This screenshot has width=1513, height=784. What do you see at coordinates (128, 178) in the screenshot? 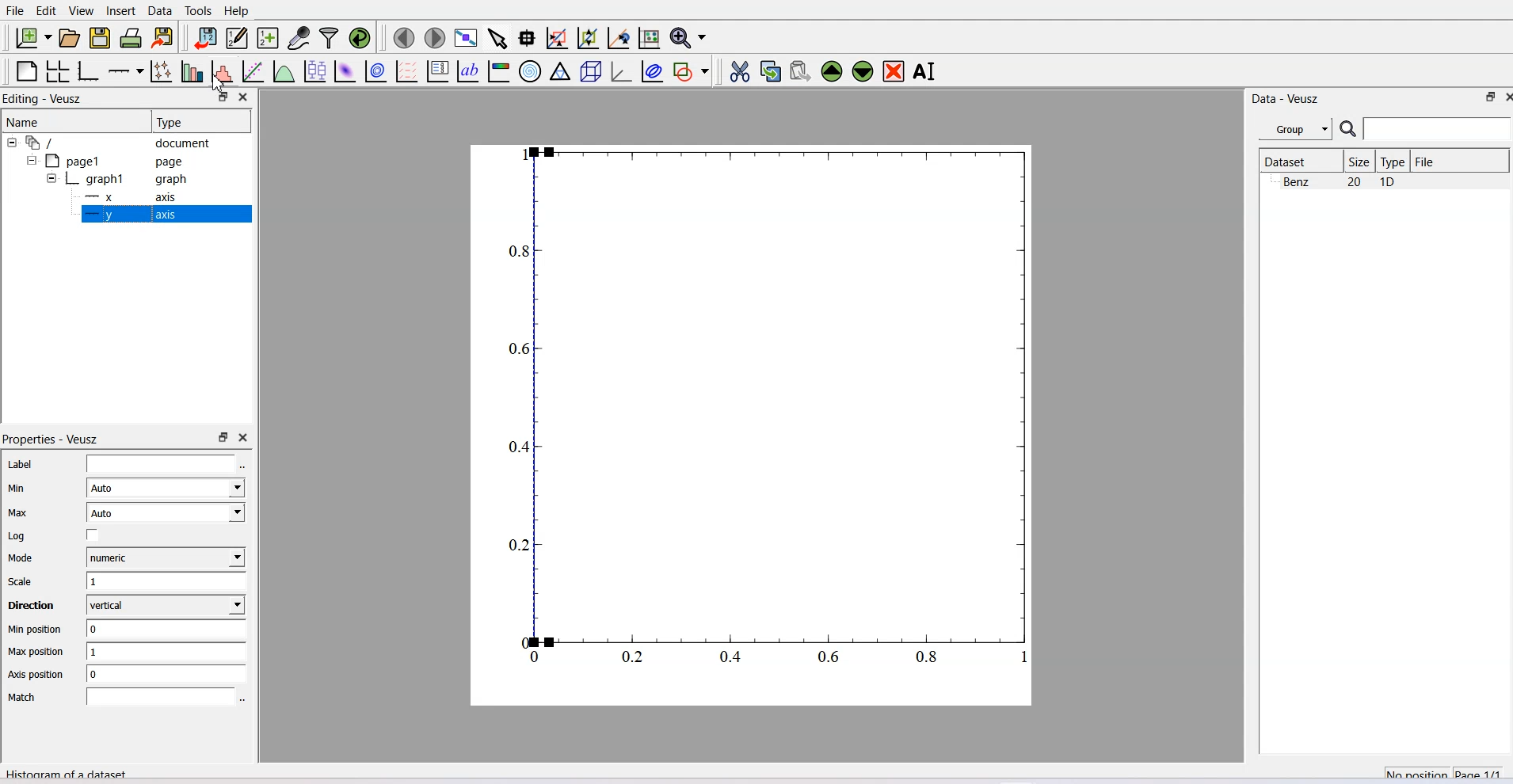
I see `Graph` at bounding box center [128, 178].